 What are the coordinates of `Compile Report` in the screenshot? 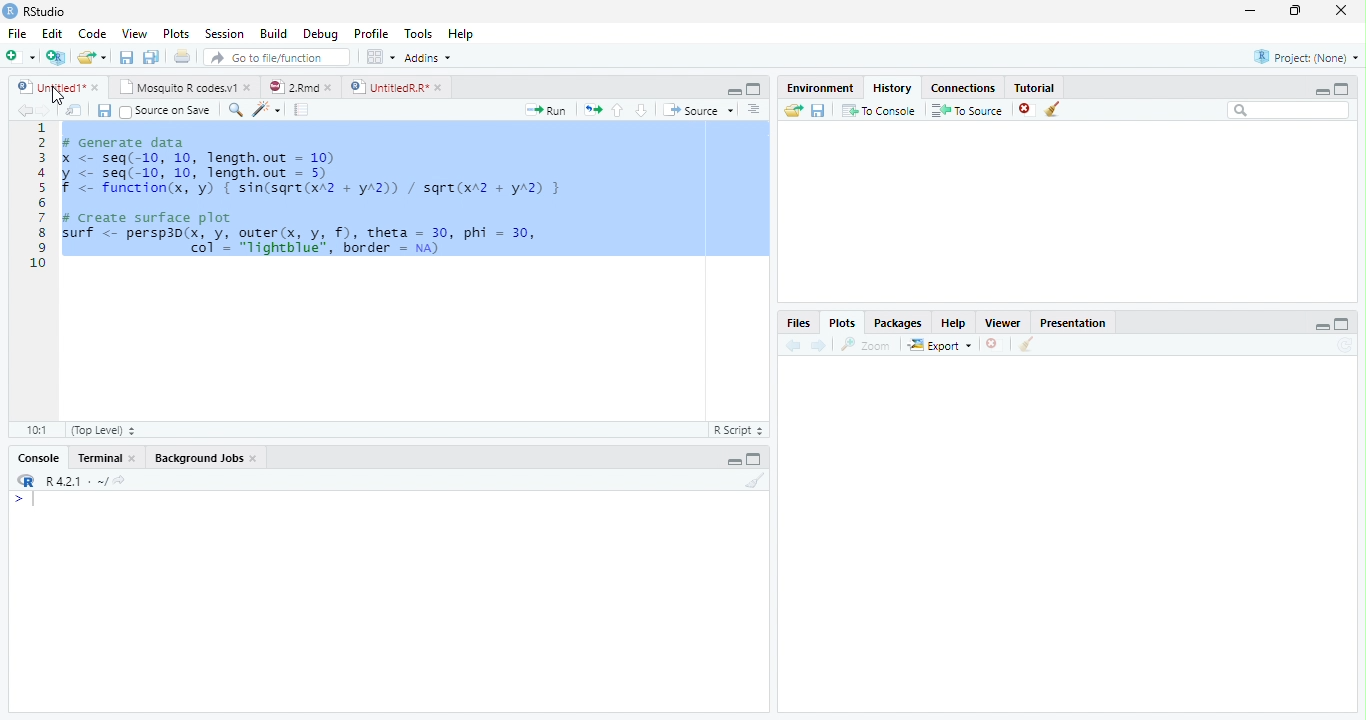 It's located at (301, 109).